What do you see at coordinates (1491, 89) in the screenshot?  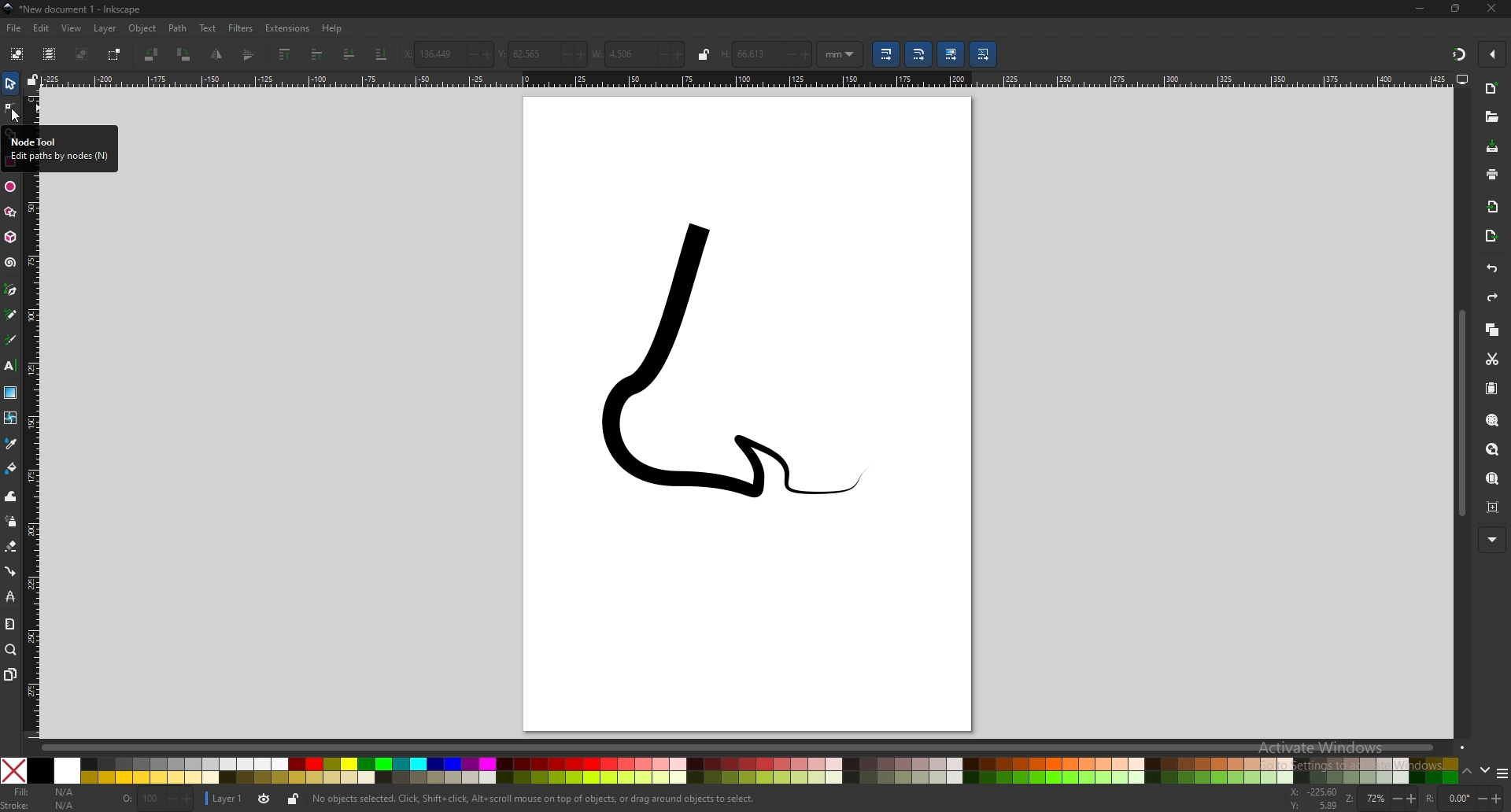 I see `new` at bounding box center [1491, 89].